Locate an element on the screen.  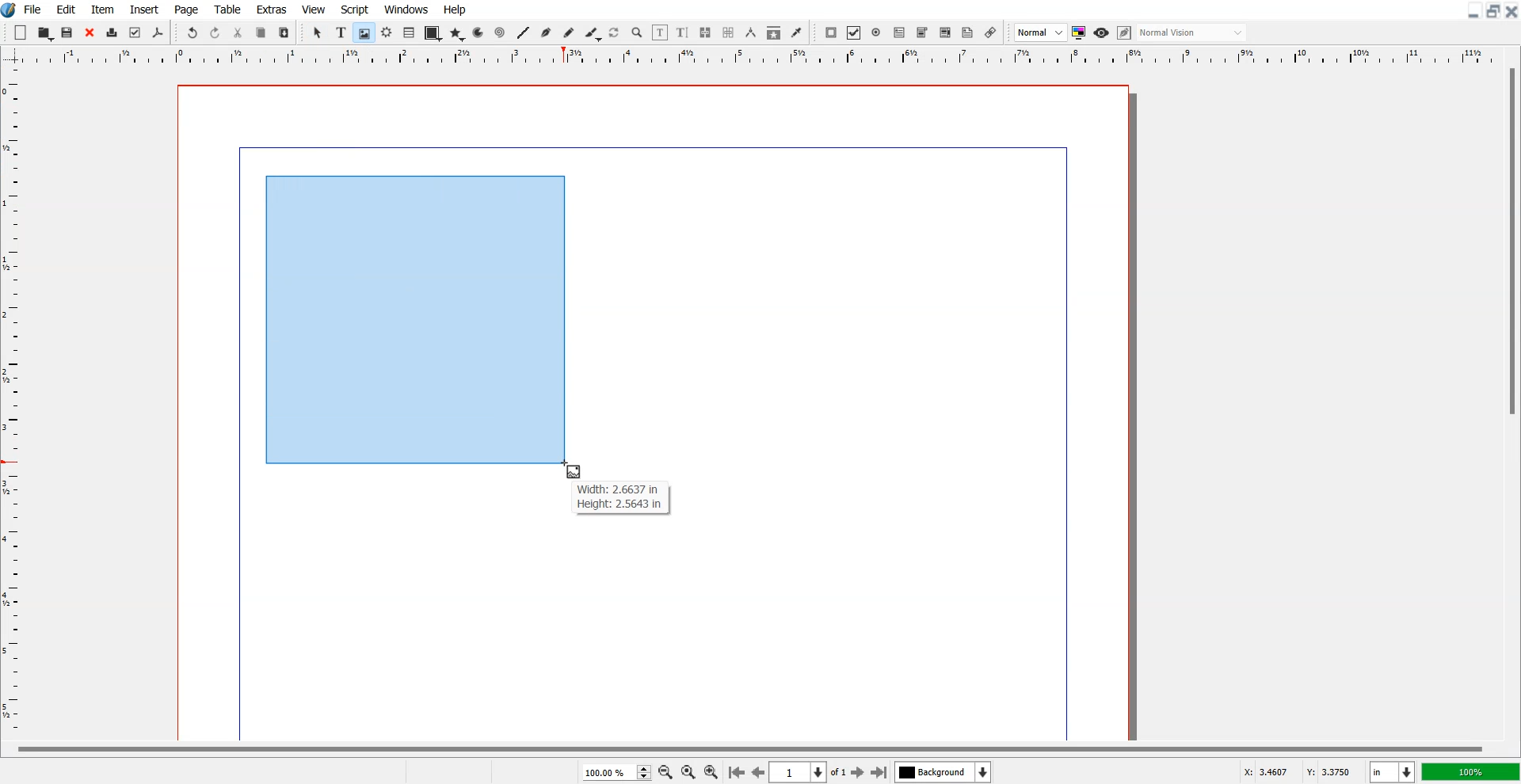
Edit Content of Frame is located at coordinates (661, 32).